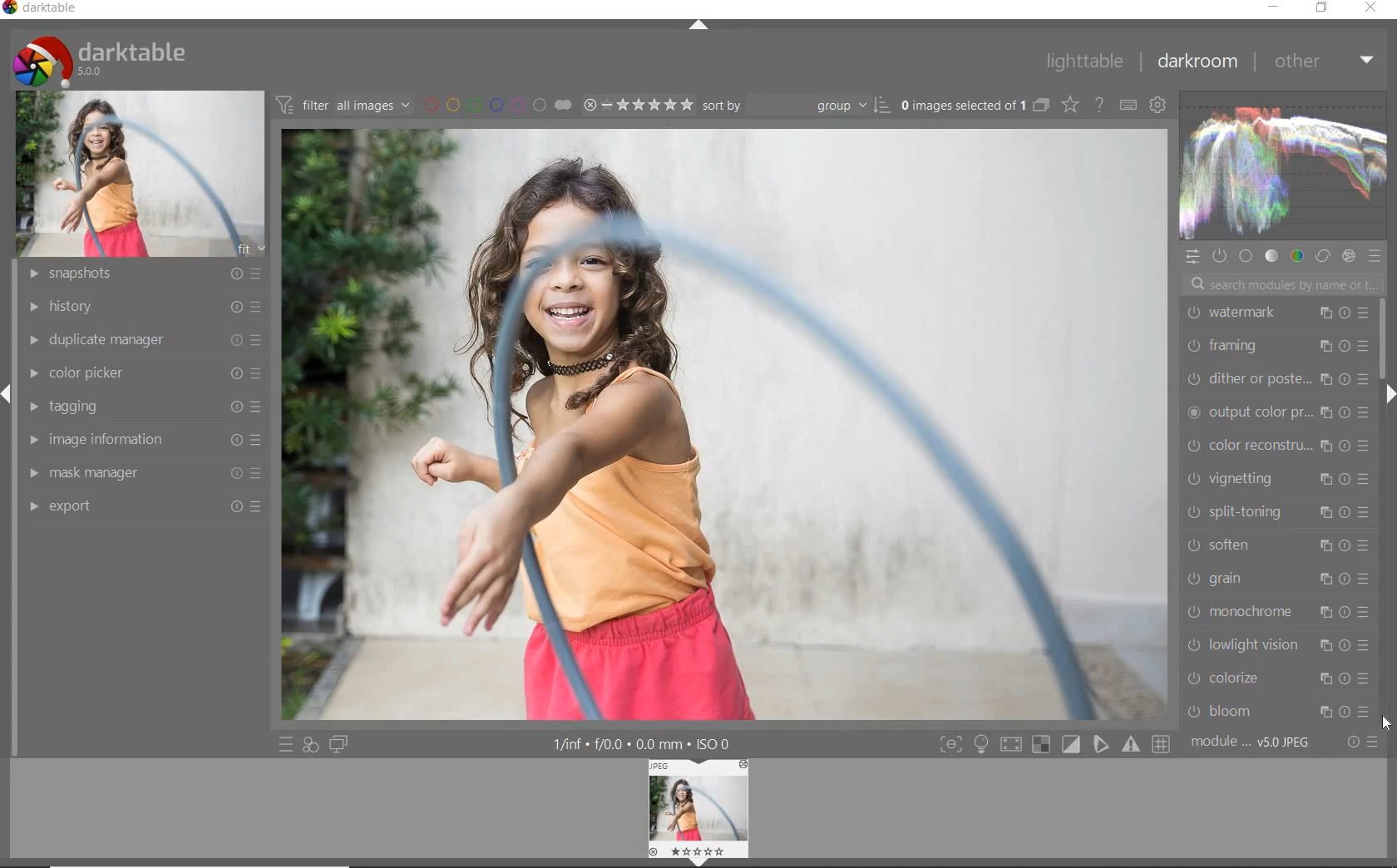  Describe the element at coordinates (1278, 645) in the screenshot. I see `lowlight vision` at that location.